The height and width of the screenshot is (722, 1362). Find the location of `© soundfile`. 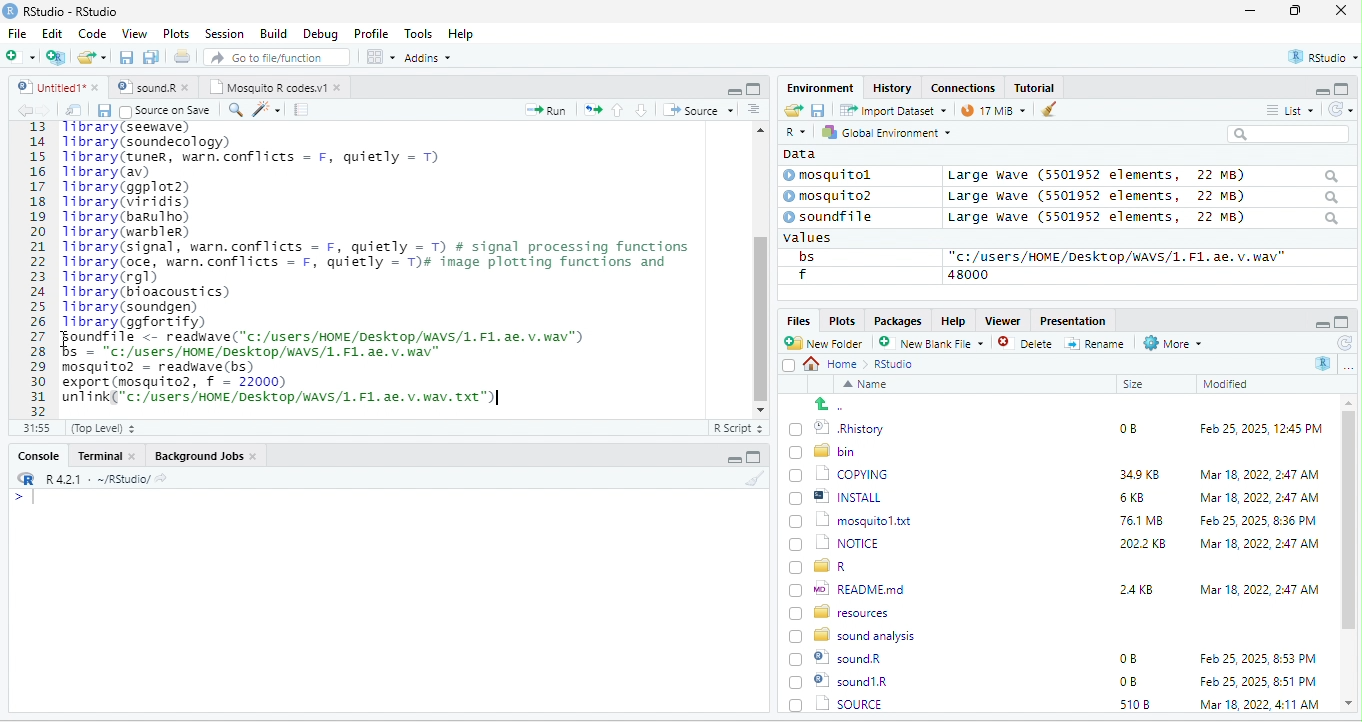

© soundfile is located at coordinates (837, 216).